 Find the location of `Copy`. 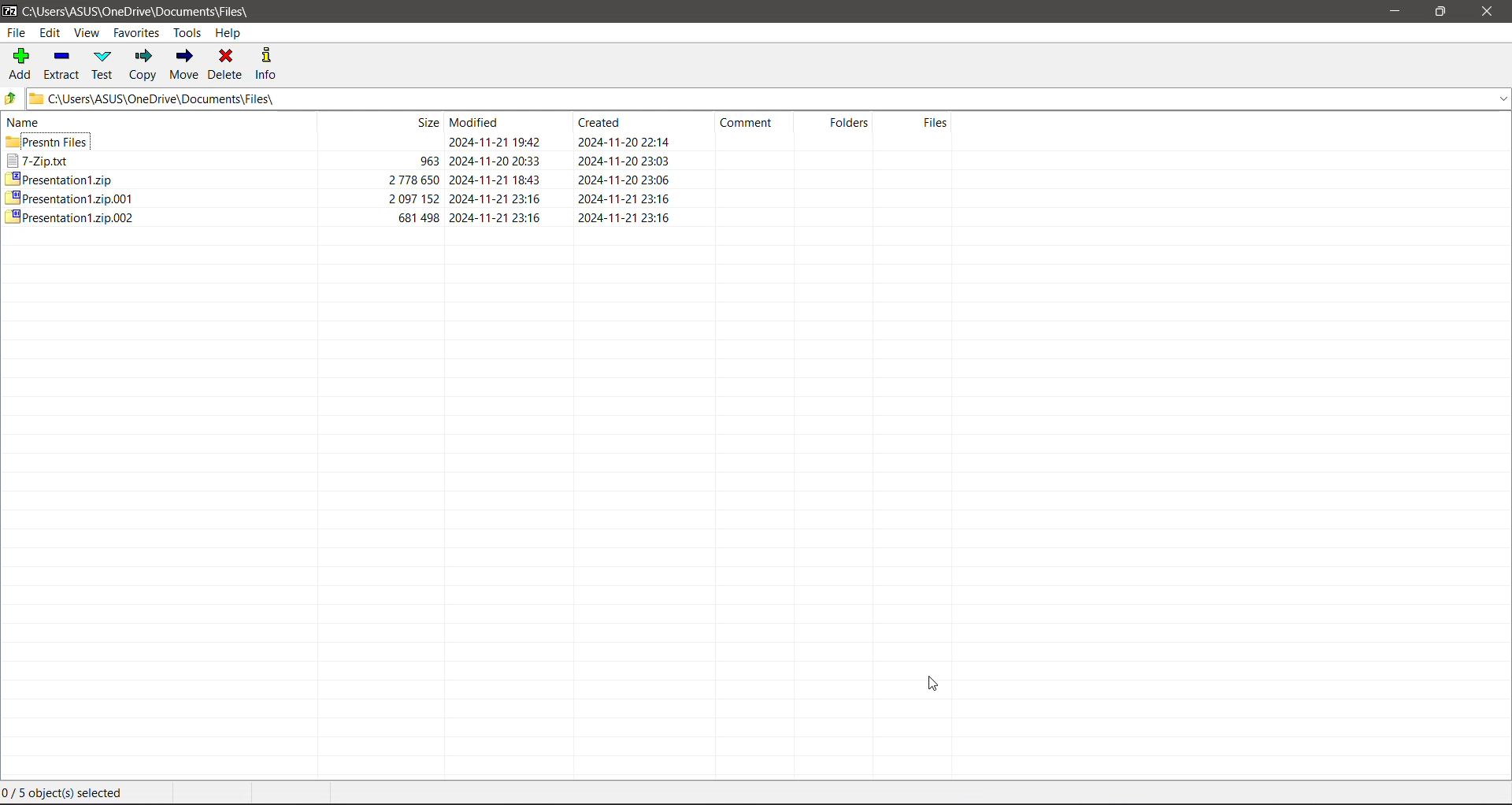

Copy is located at coordinates (144, 65).